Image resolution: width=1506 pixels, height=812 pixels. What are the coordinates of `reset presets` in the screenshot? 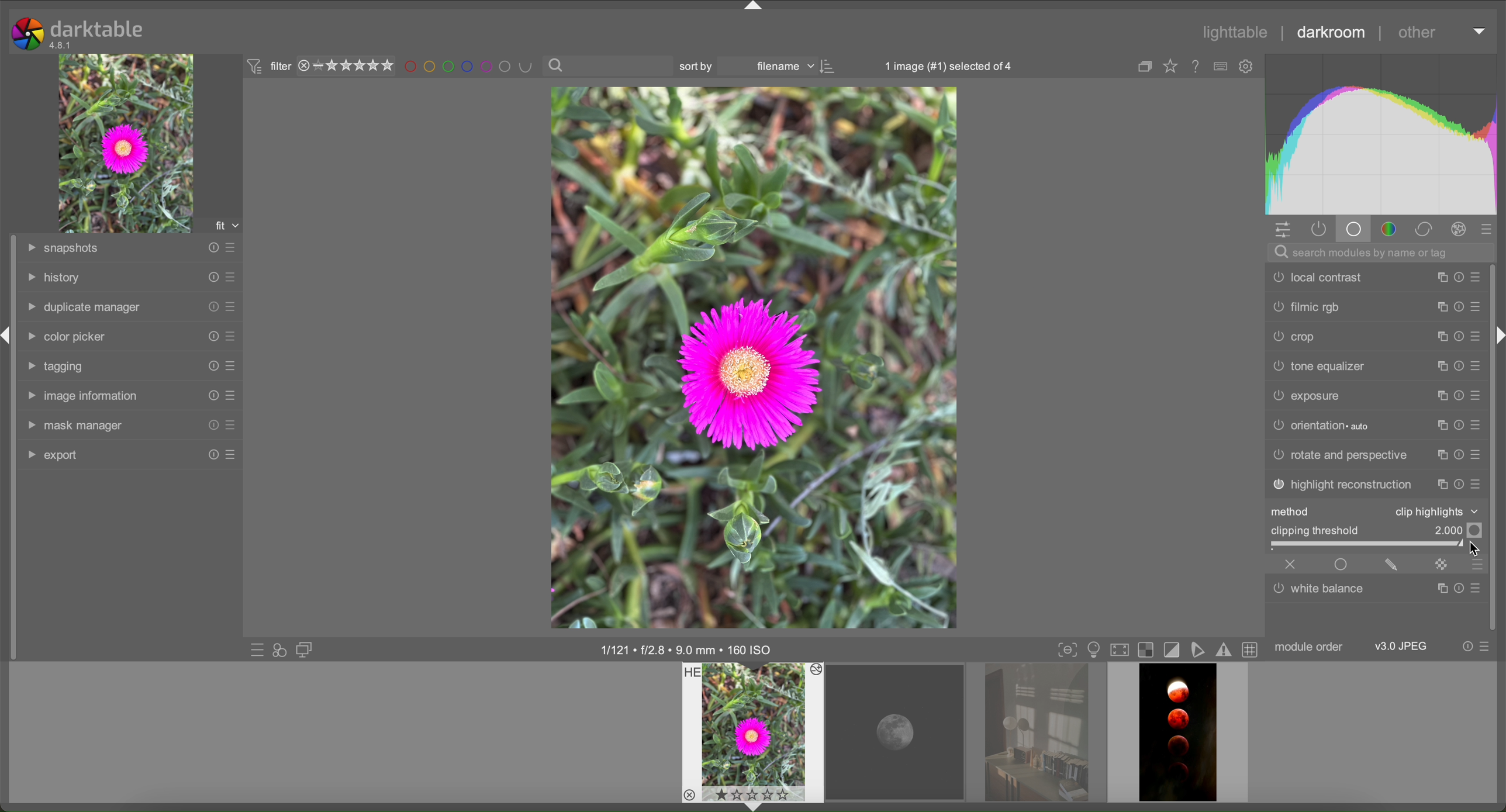 It's located at (210, 426).